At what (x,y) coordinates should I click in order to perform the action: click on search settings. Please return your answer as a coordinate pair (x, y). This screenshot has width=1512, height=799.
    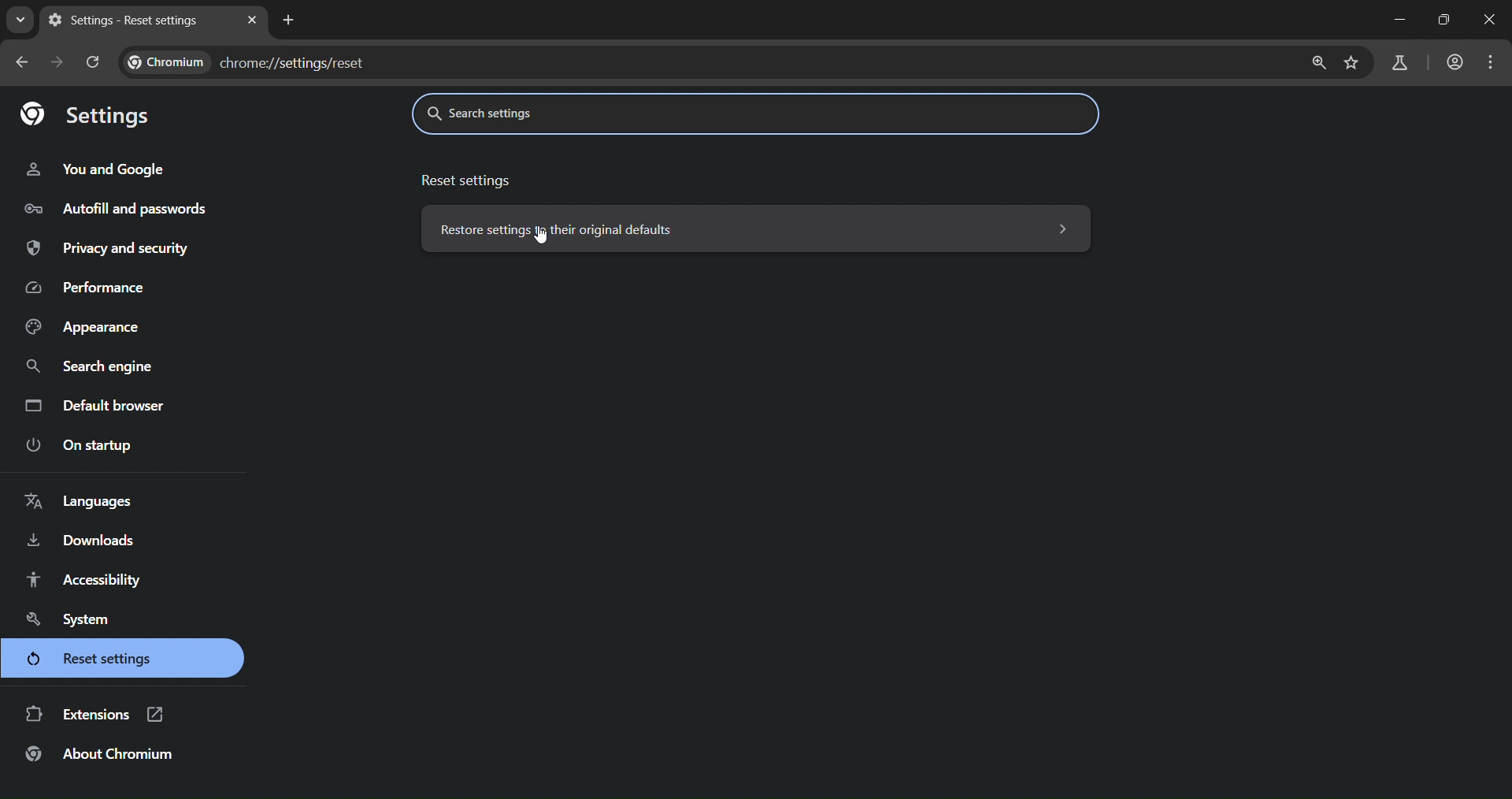
    Looking at the image, I should click on (628, 109).